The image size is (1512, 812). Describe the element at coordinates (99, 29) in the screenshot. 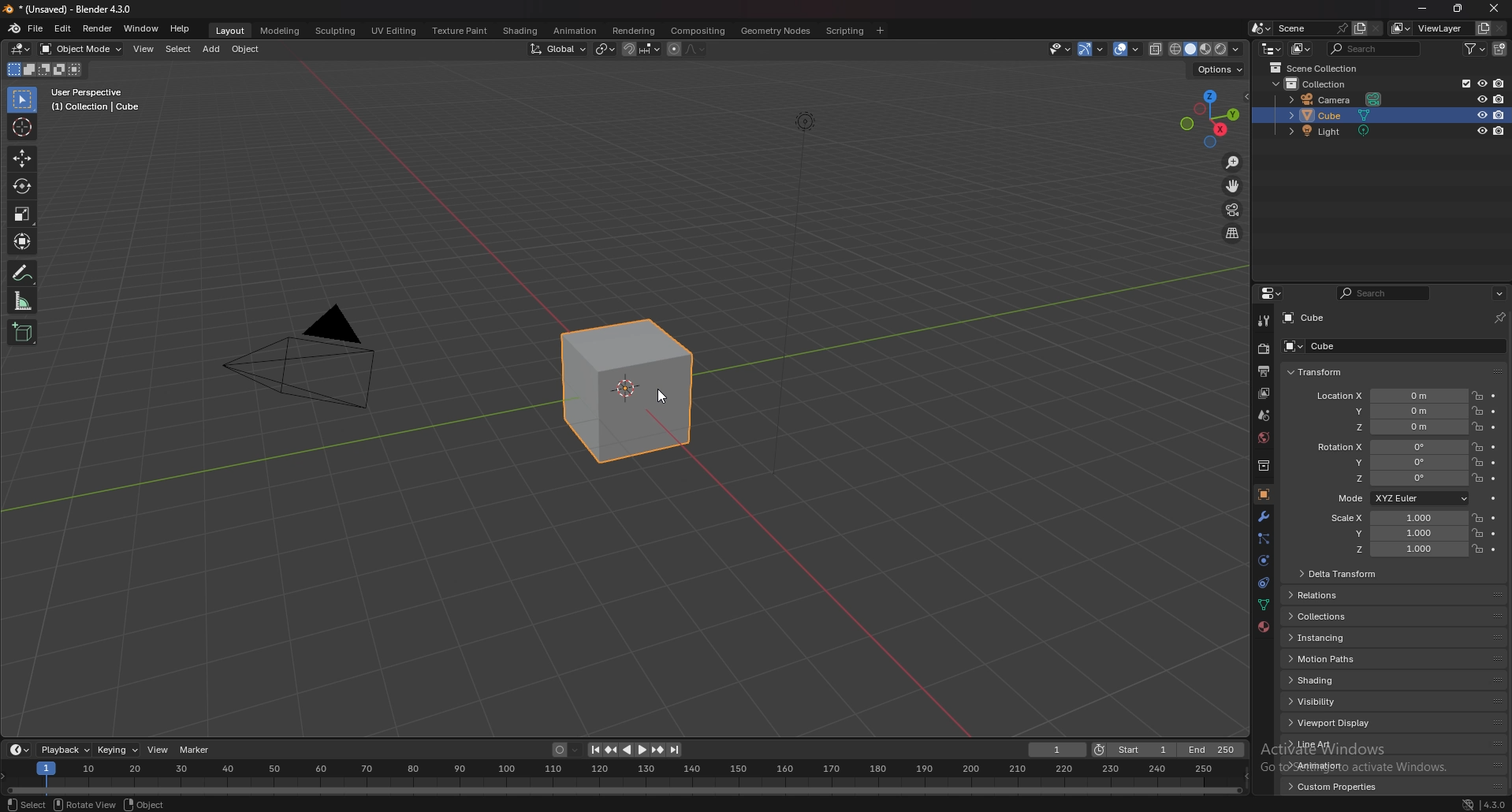

I see `render` at that location.